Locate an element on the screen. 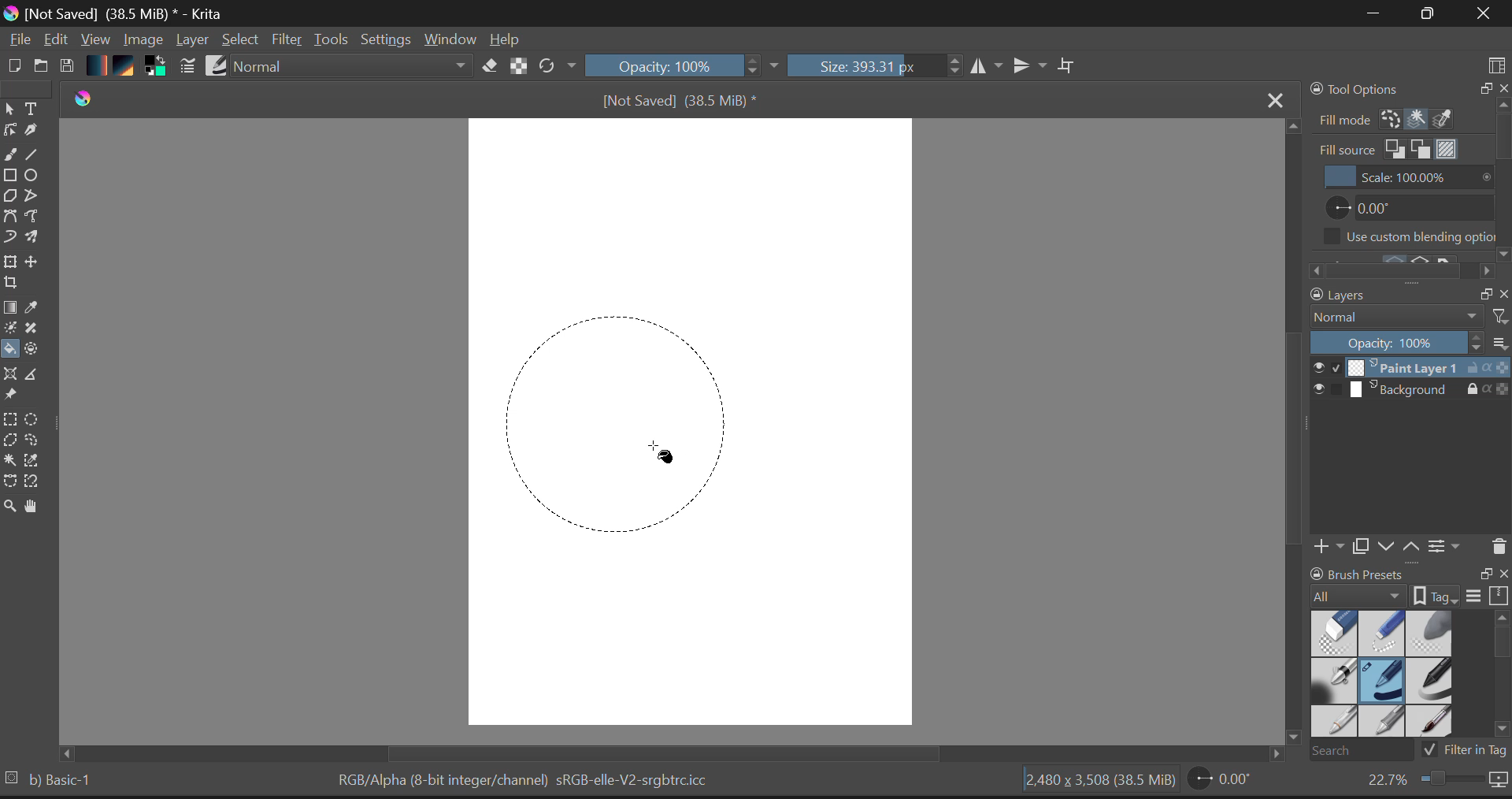 The image size is (1512, 799). Gradient is located at coordinates (98, 66).